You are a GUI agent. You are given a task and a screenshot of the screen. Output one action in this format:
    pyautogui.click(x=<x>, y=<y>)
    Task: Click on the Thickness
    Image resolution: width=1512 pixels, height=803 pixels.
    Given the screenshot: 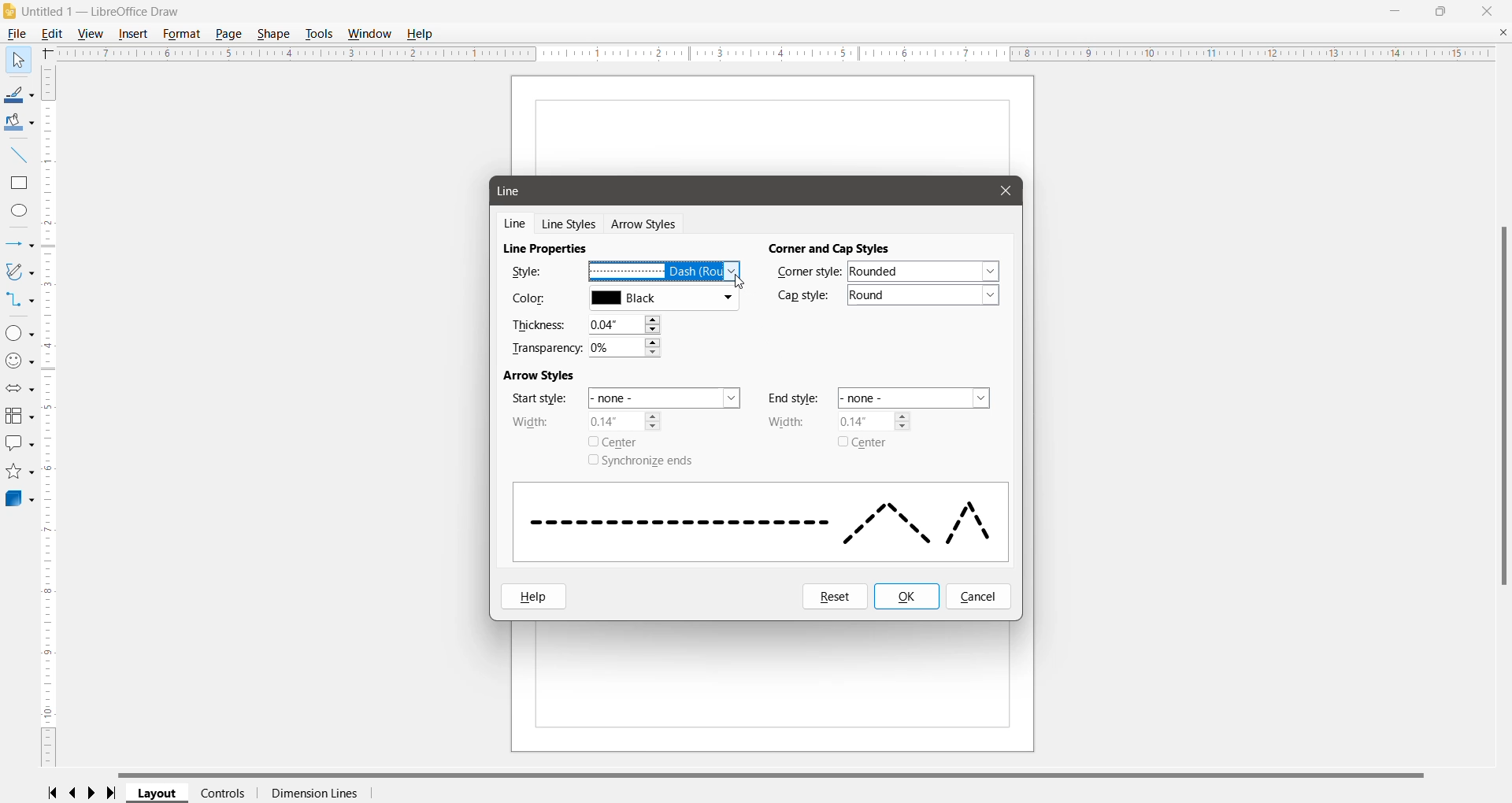 What is the action you would take?
    pyautogui.click(x=543, y=325)
    